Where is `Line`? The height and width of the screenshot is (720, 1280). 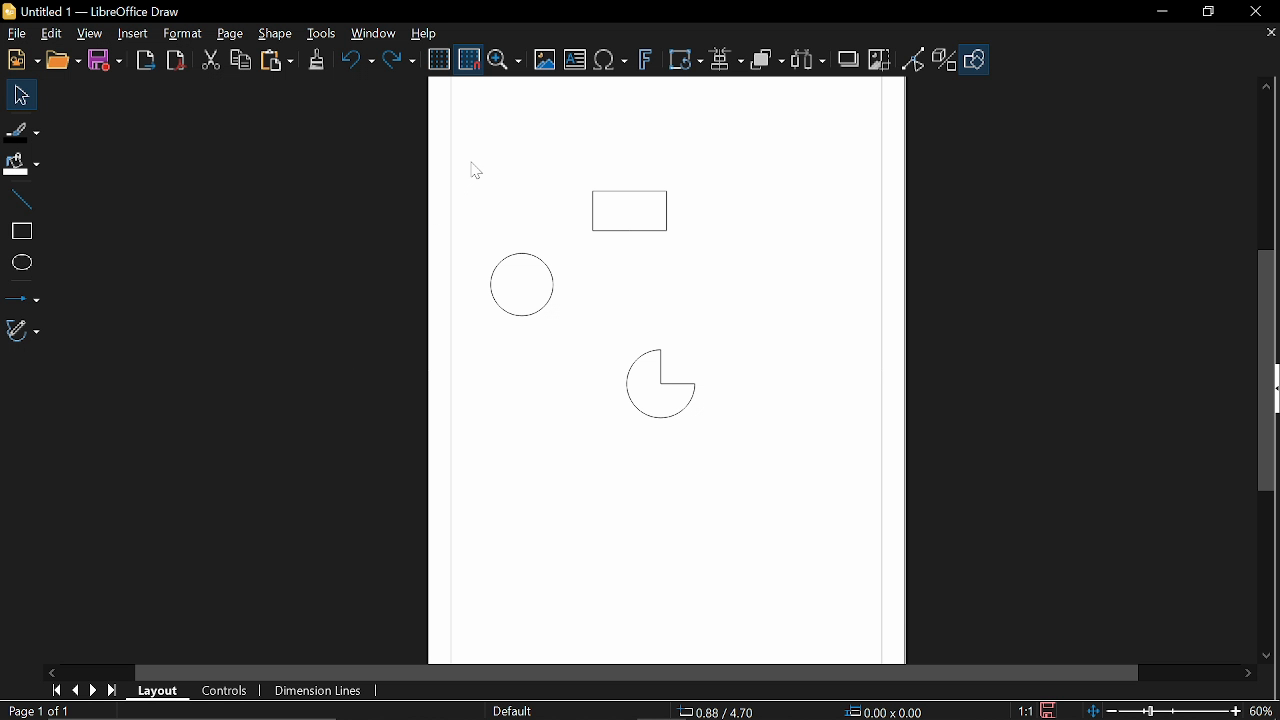 Line is located at coordinates (17, 194).